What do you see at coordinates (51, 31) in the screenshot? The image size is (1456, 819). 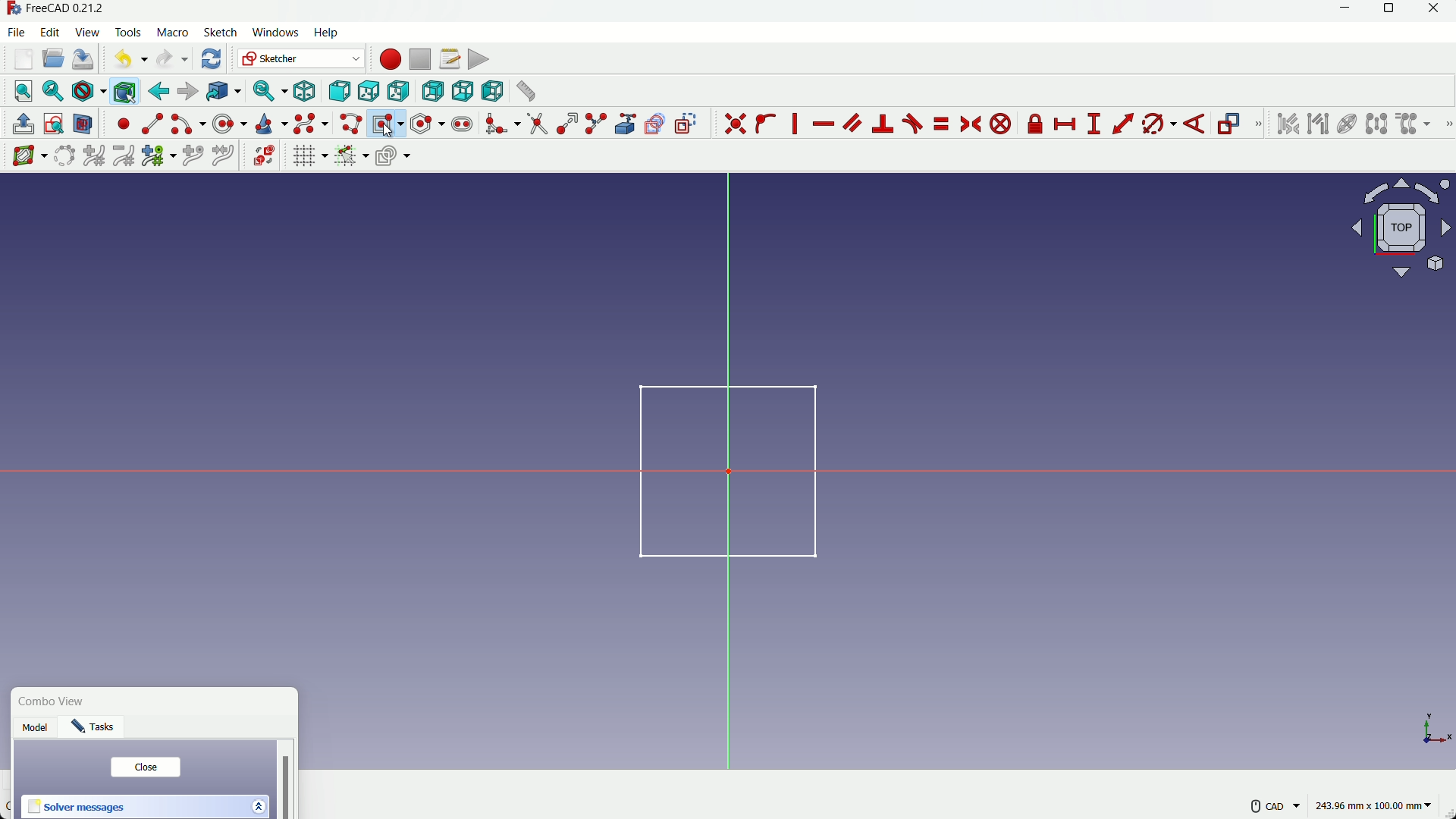 I see `edit menu` at bounding box center [51, 31].